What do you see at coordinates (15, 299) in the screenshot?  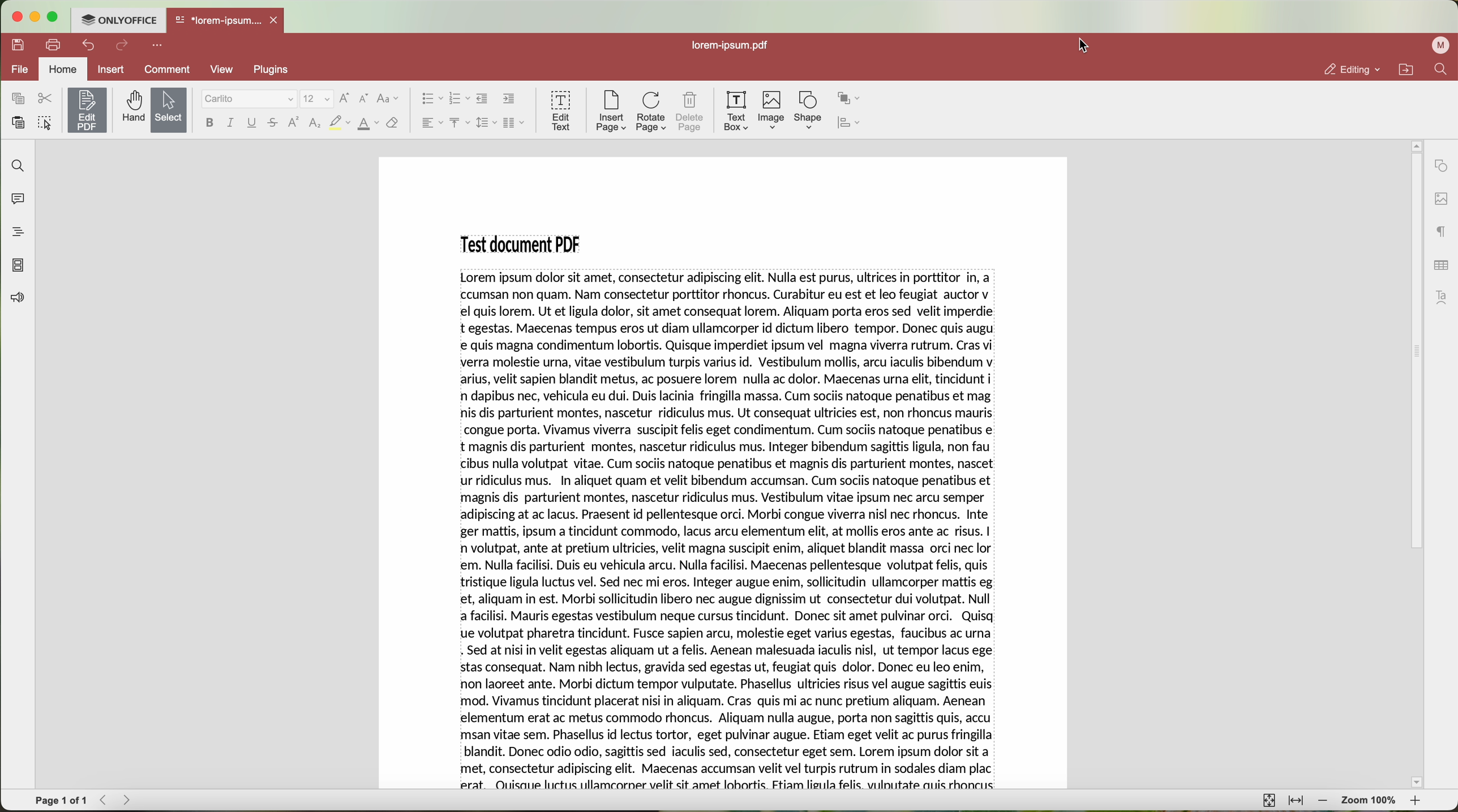 I see `feedback & support` at bounding box center [15, 299].